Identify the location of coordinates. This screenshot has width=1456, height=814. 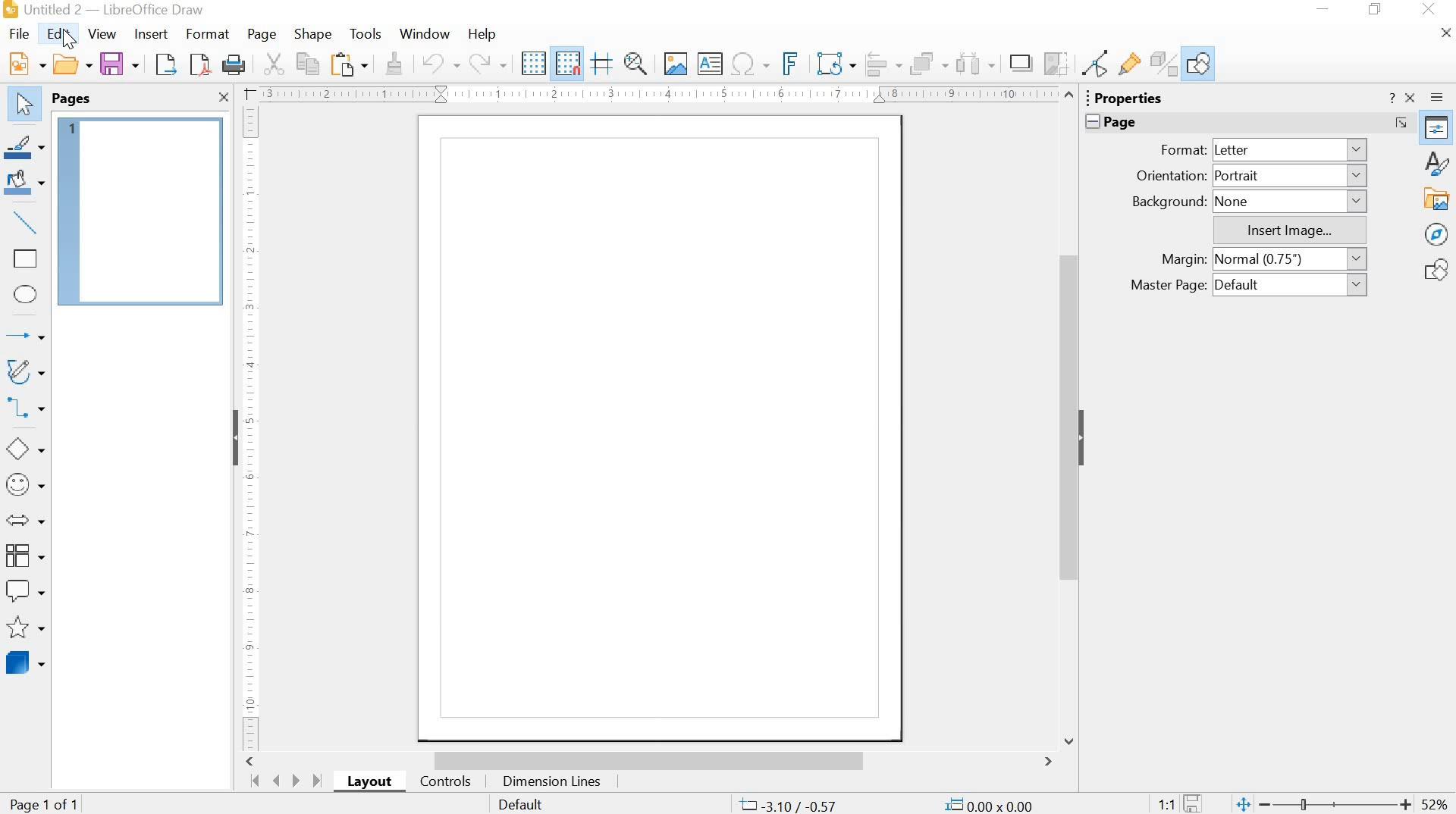
(899, 804).